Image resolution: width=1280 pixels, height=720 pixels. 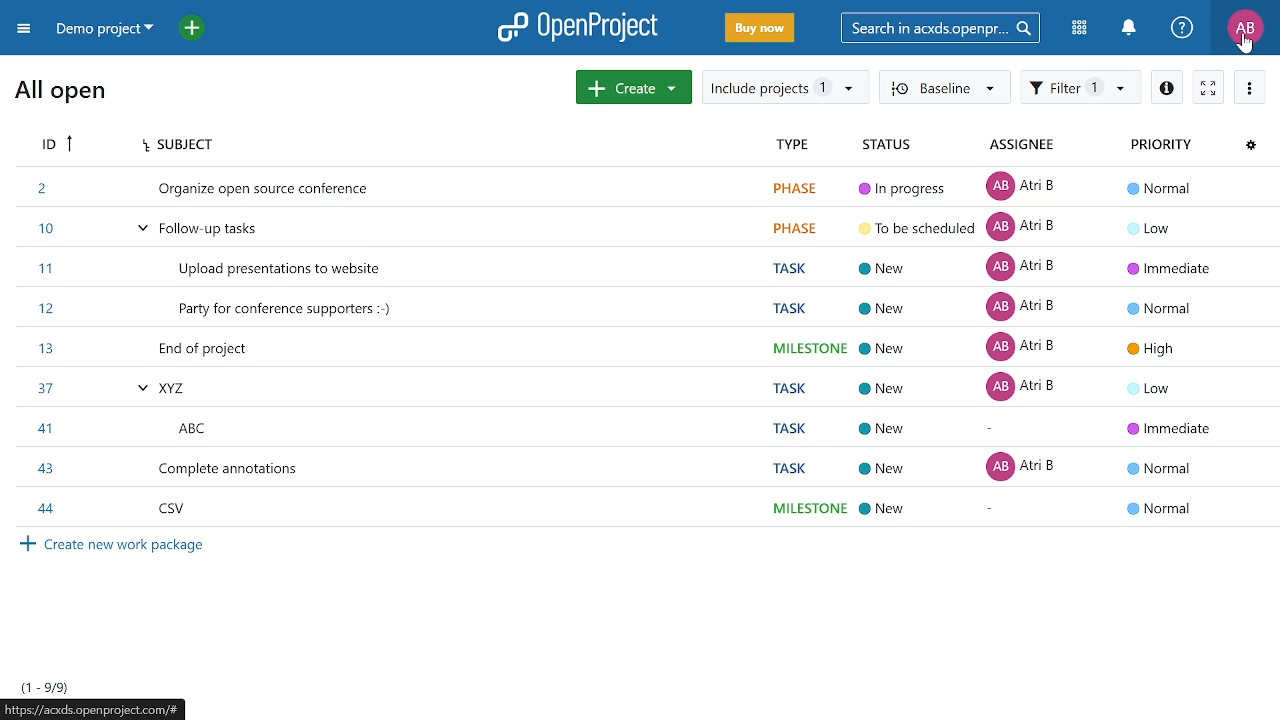 I want to click on ID, so click(x=61, y=147).